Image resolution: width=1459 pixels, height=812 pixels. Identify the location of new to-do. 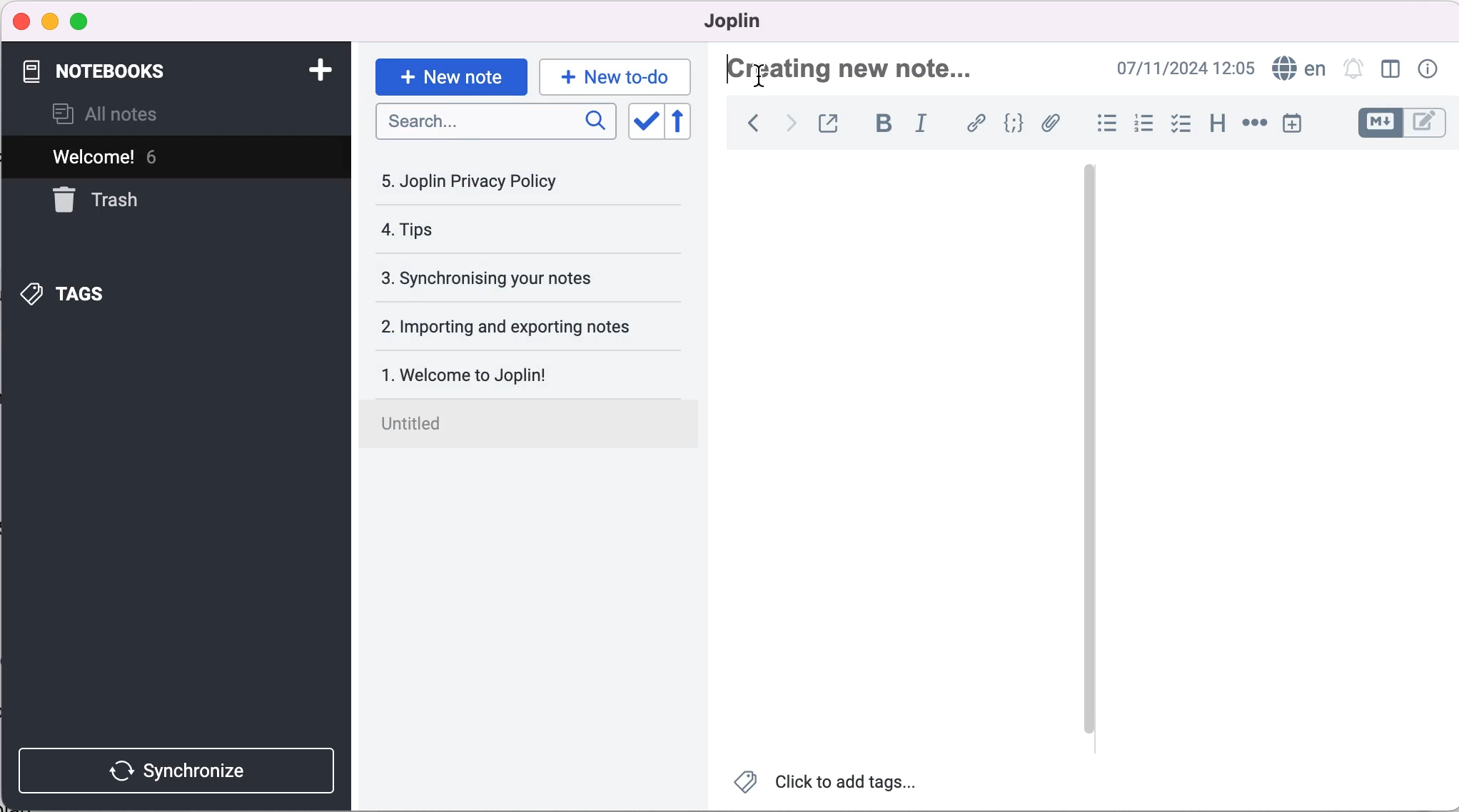
(612, 76).